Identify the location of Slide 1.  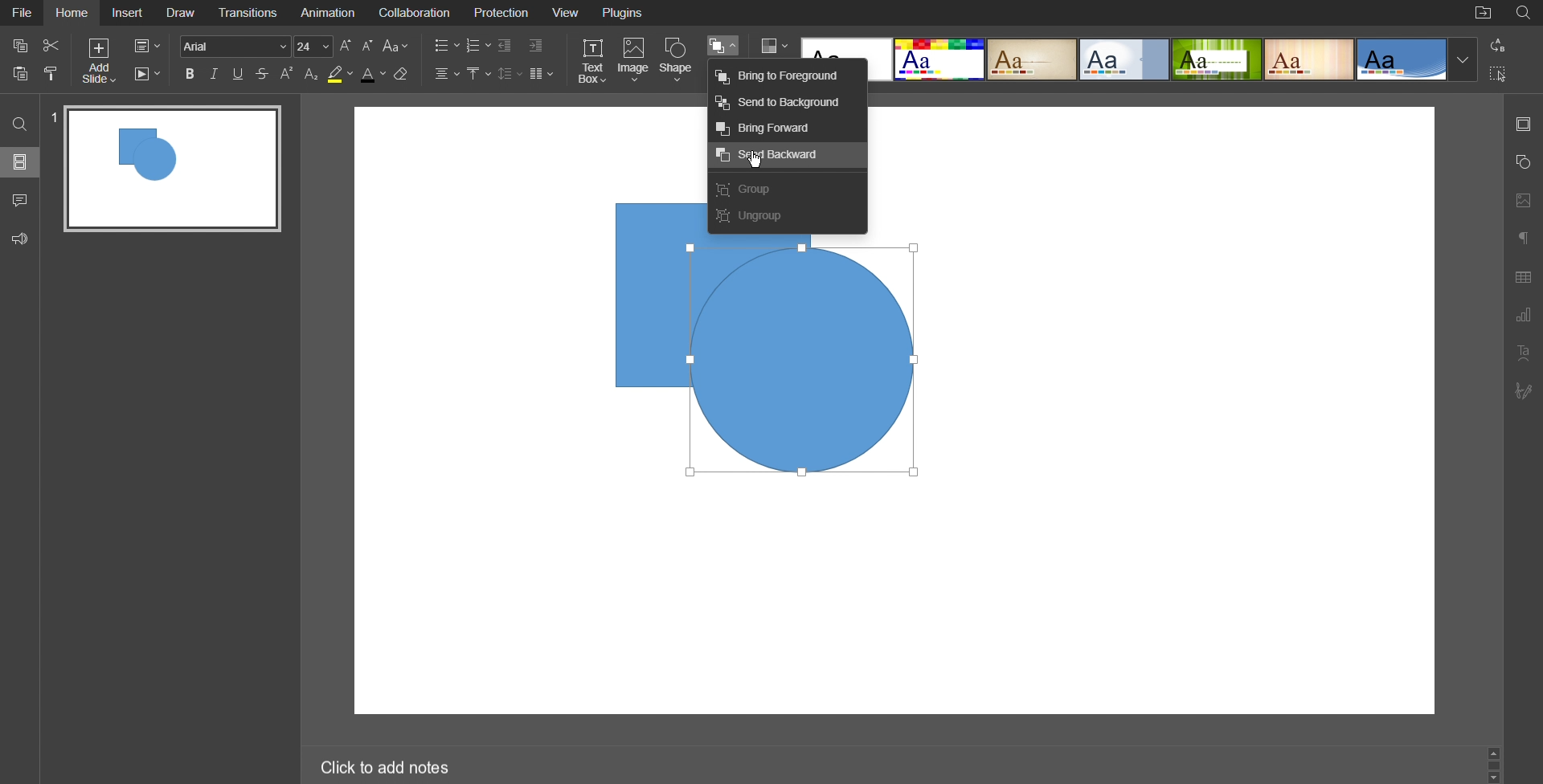
(170, 166).